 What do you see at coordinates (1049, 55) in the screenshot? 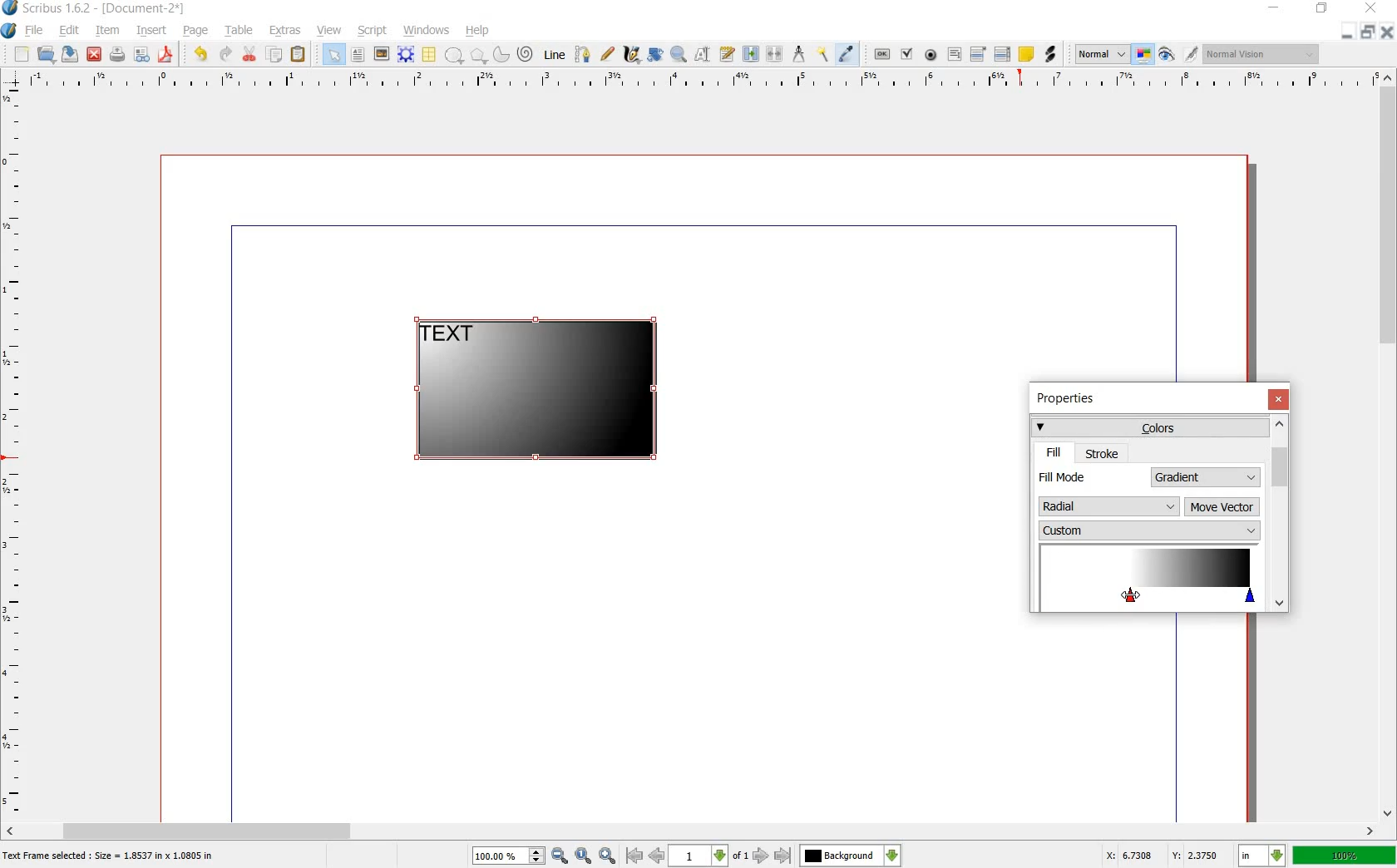
I see `link annotation` at bounding box center [1049, 55].